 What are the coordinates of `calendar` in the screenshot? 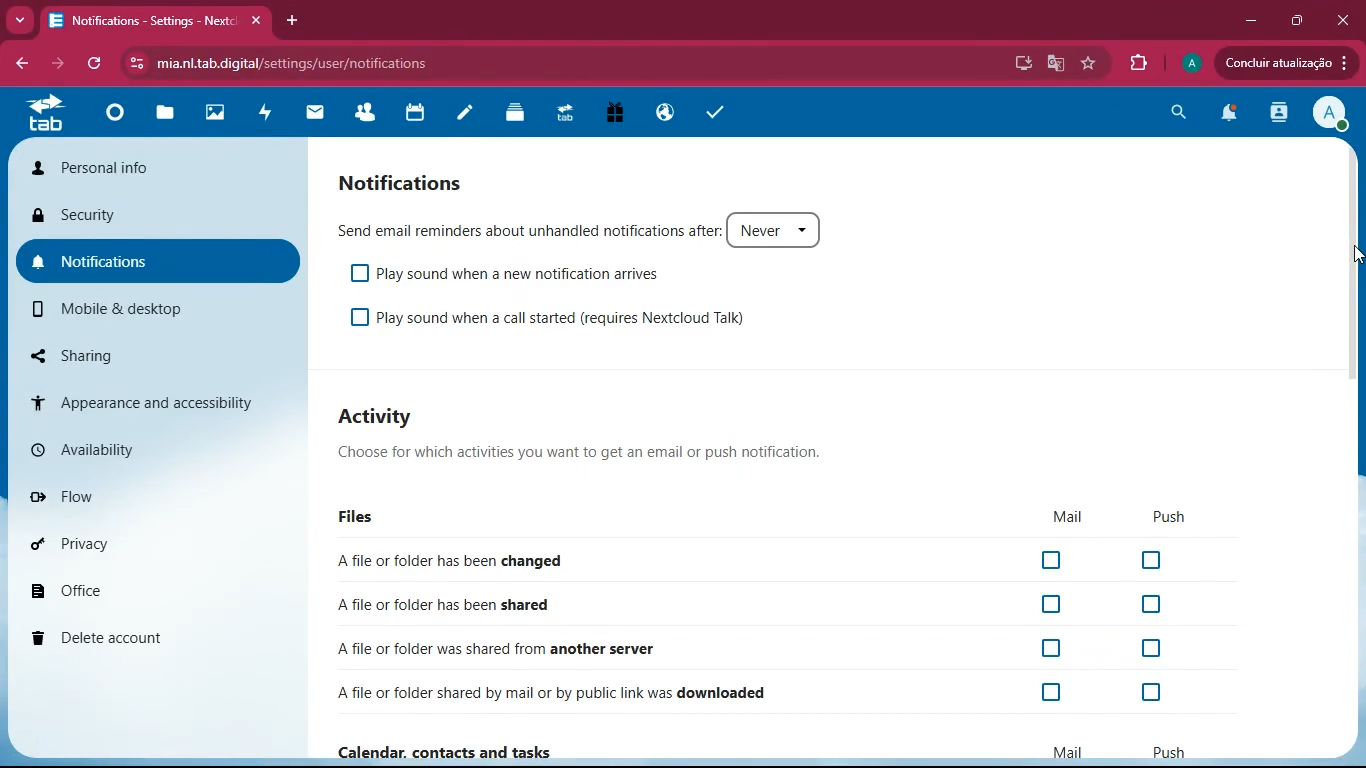 It's located at (417, 116).